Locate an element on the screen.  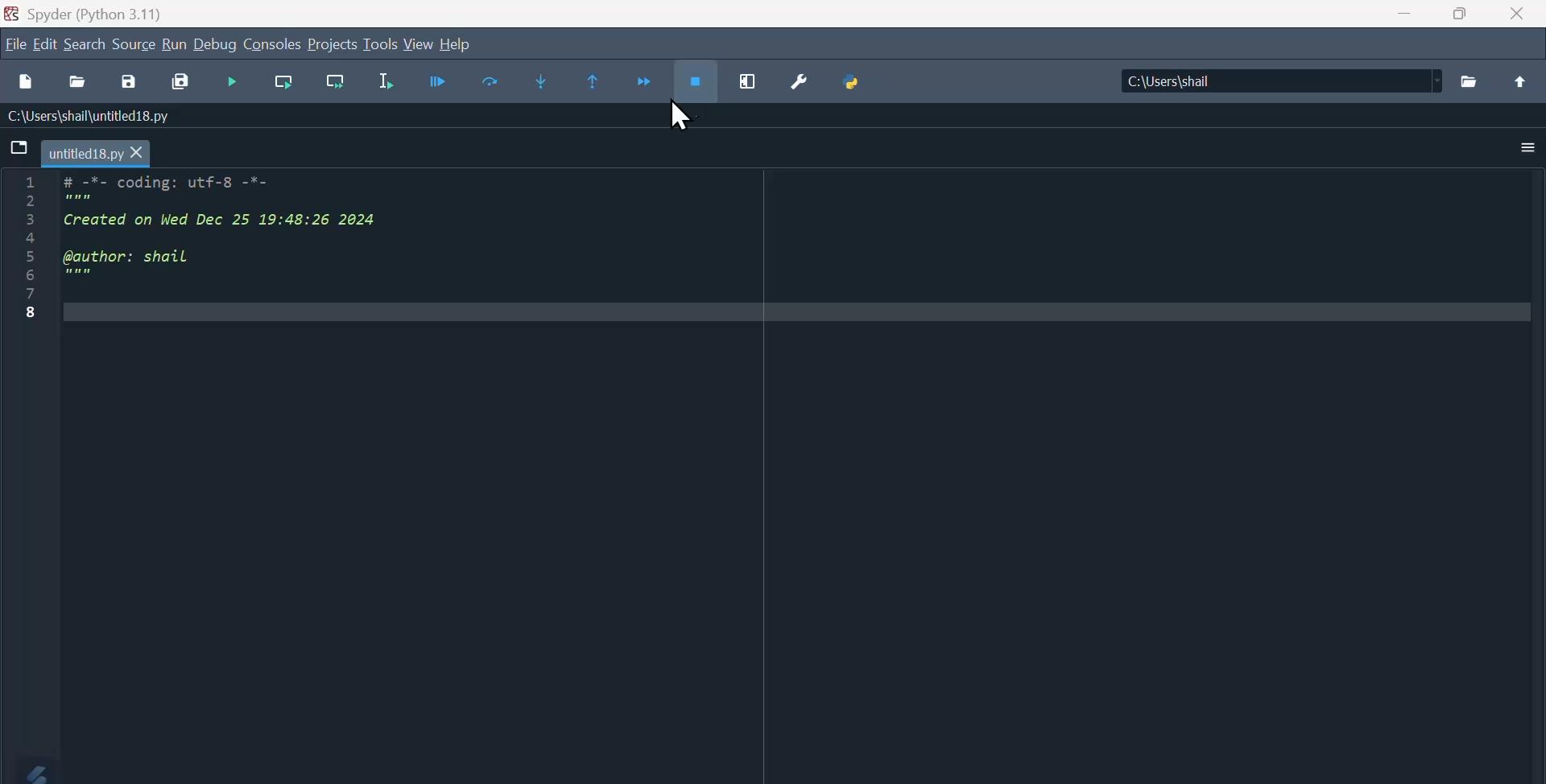
file is located at coordinates (20, 151).